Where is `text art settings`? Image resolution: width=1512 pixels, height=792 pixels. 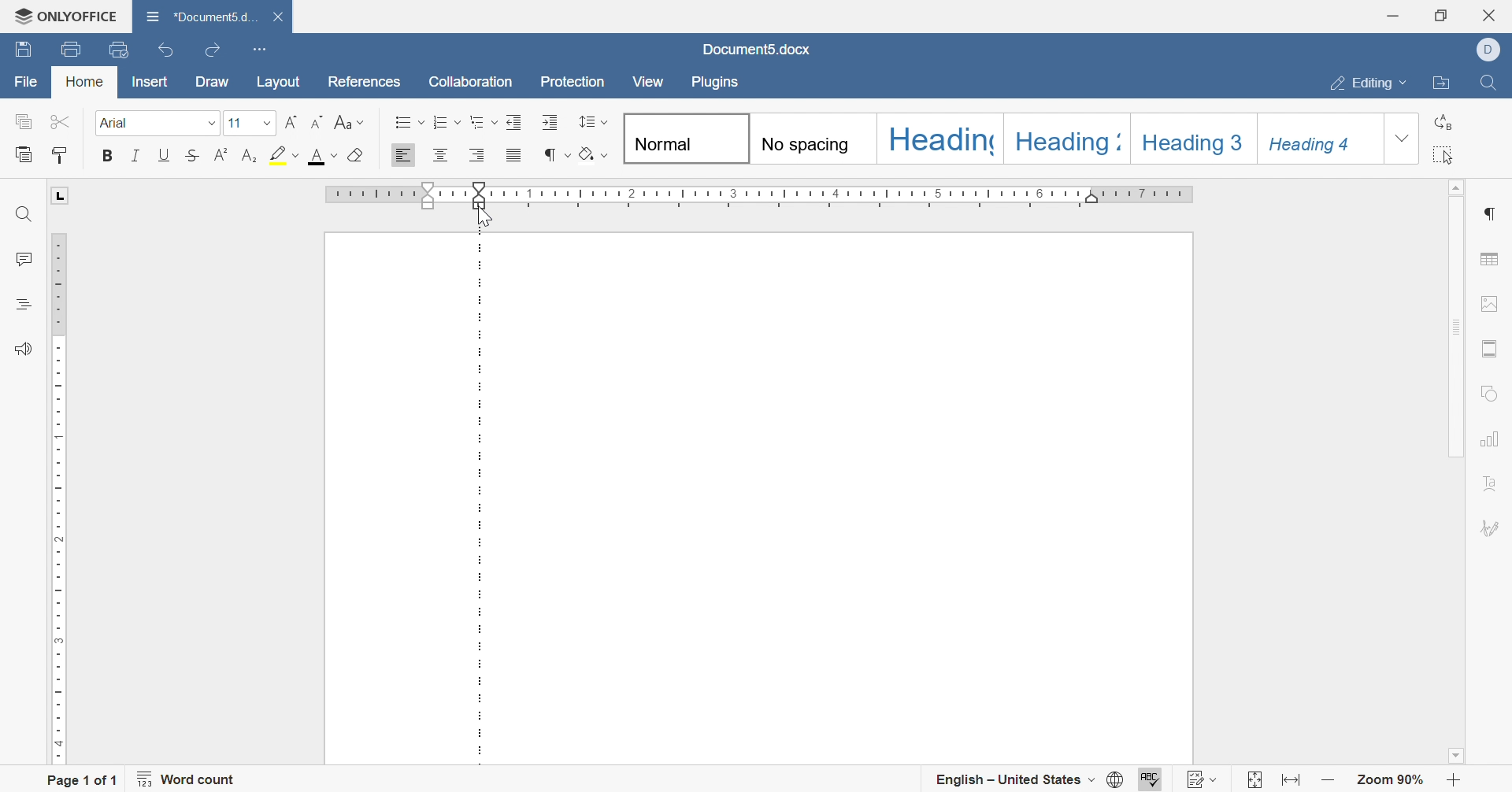
text art settings is located at coordinates (1497, 483).